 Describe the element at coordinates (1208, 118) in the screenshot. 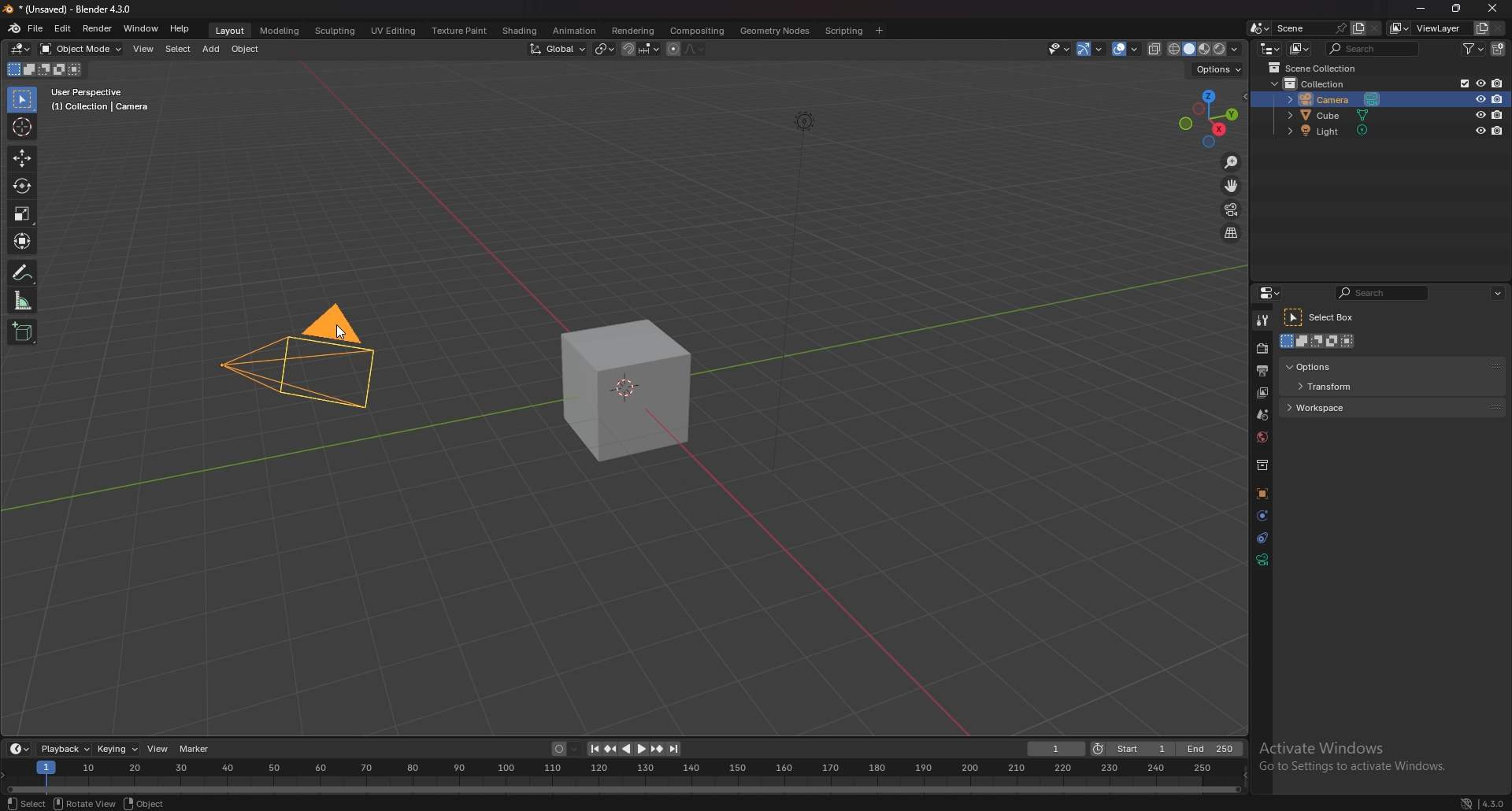

I see `preset viewpoint` at that location.